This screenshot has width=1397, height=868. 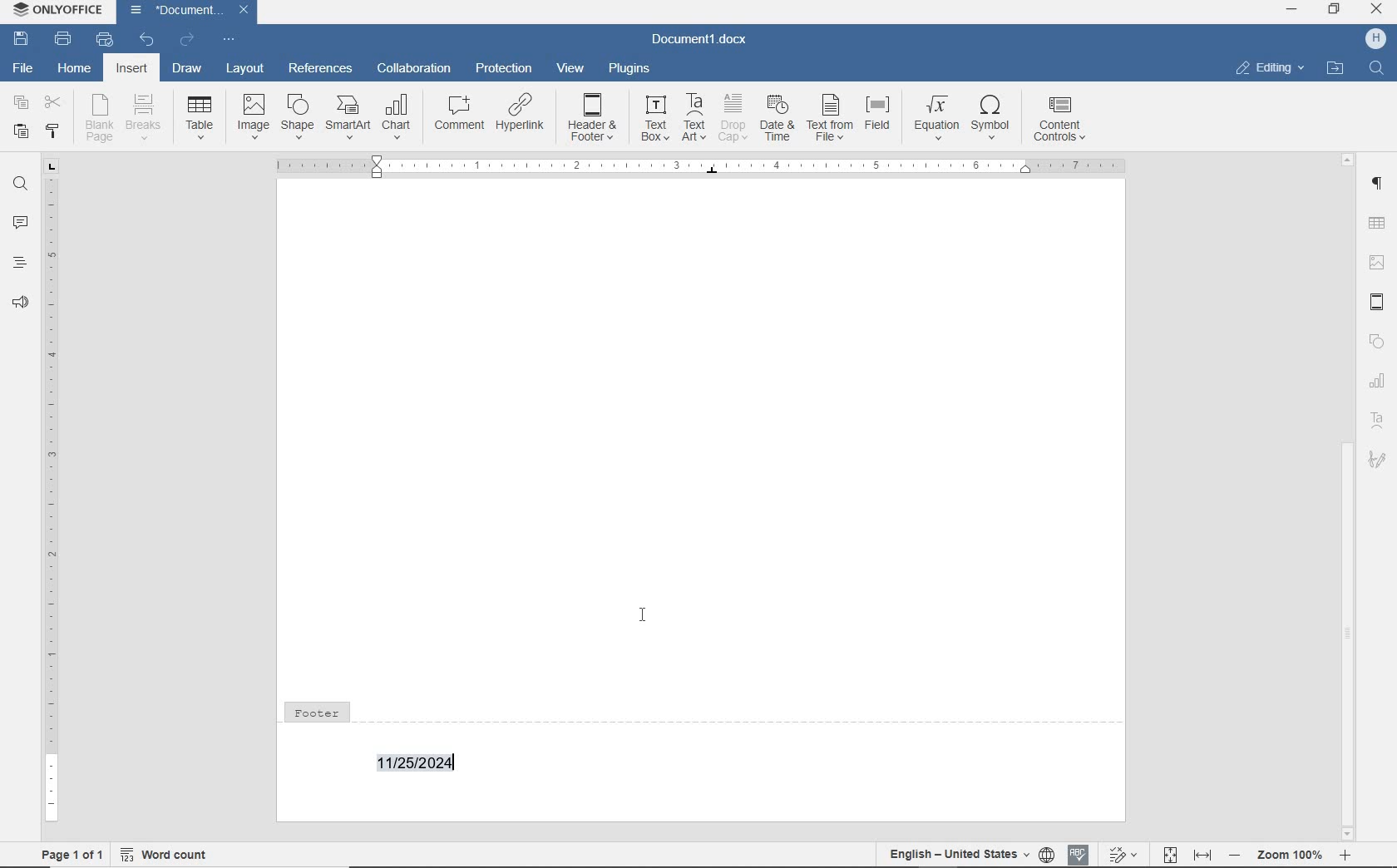 I want to click on zoom 100%, so click(x=1288, y=854).